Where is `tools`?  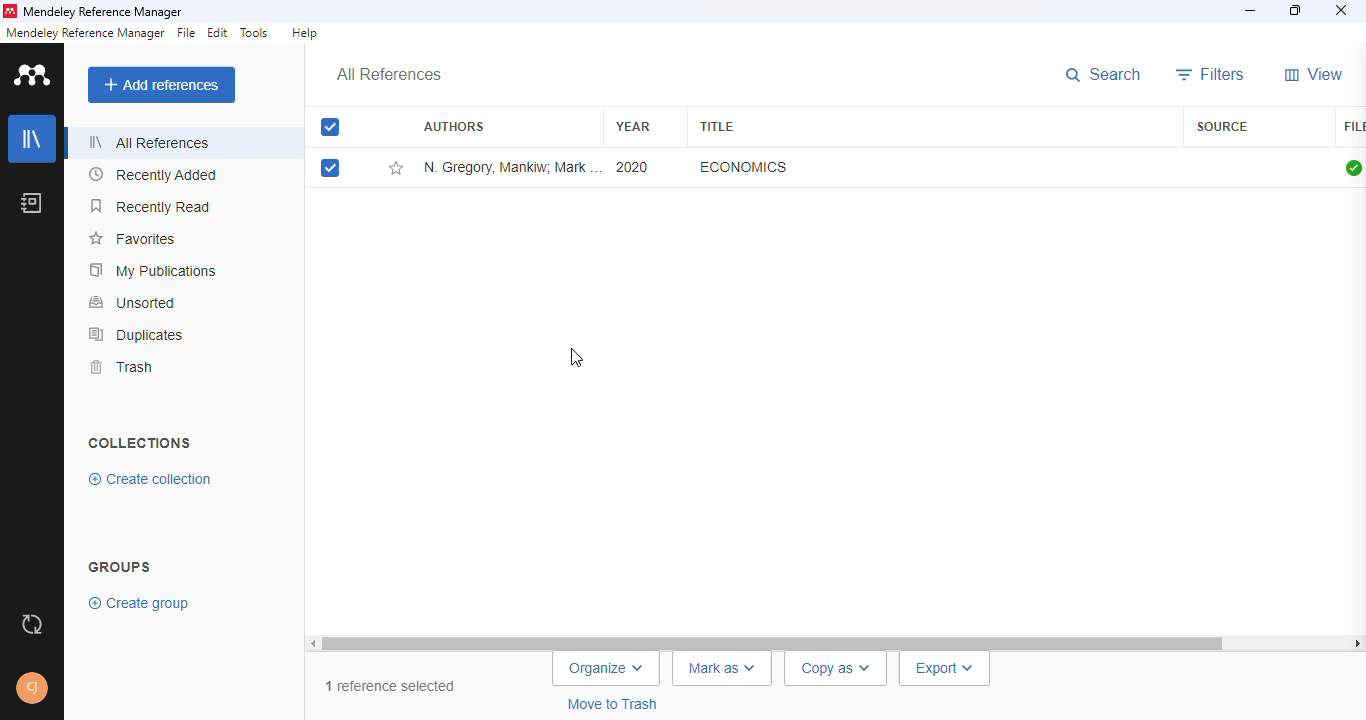 tools is located at coordinates (254, 32).